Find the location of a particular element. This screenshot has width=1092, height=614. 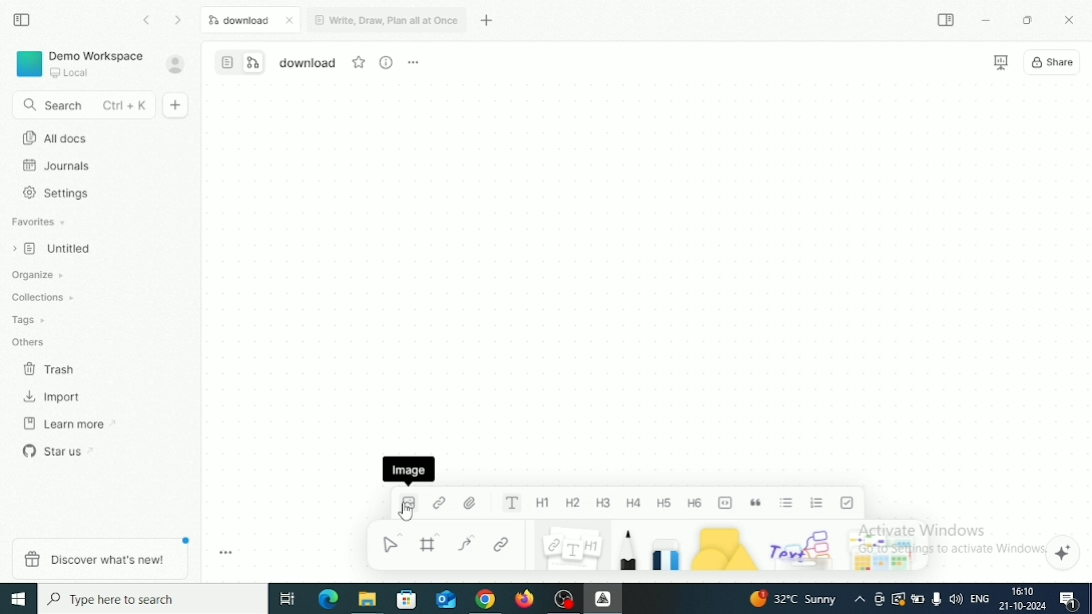

Expand sidebar is located at coordinates (947, 21).